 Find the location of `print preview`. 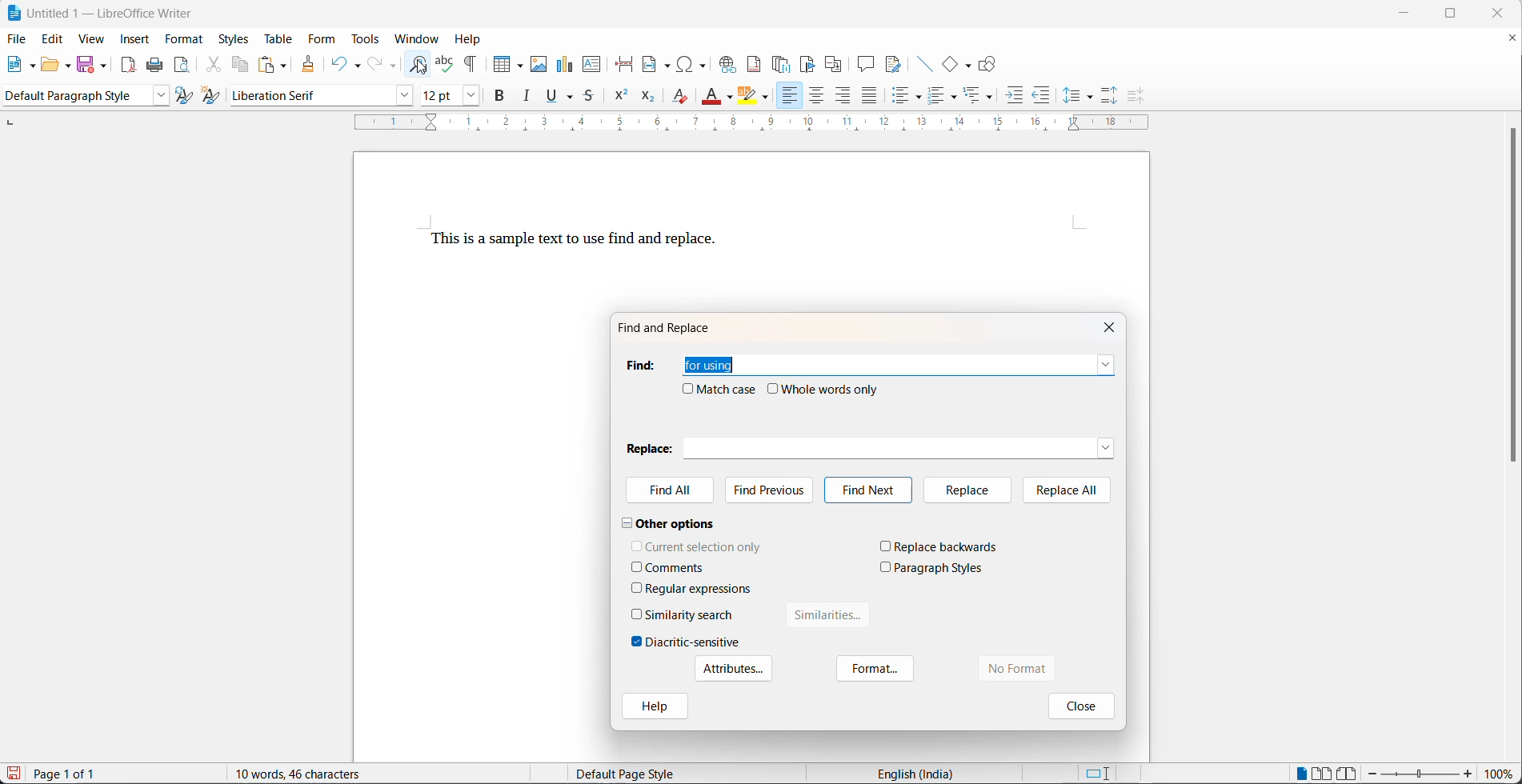

print preview is located at coordinates (183, 66).